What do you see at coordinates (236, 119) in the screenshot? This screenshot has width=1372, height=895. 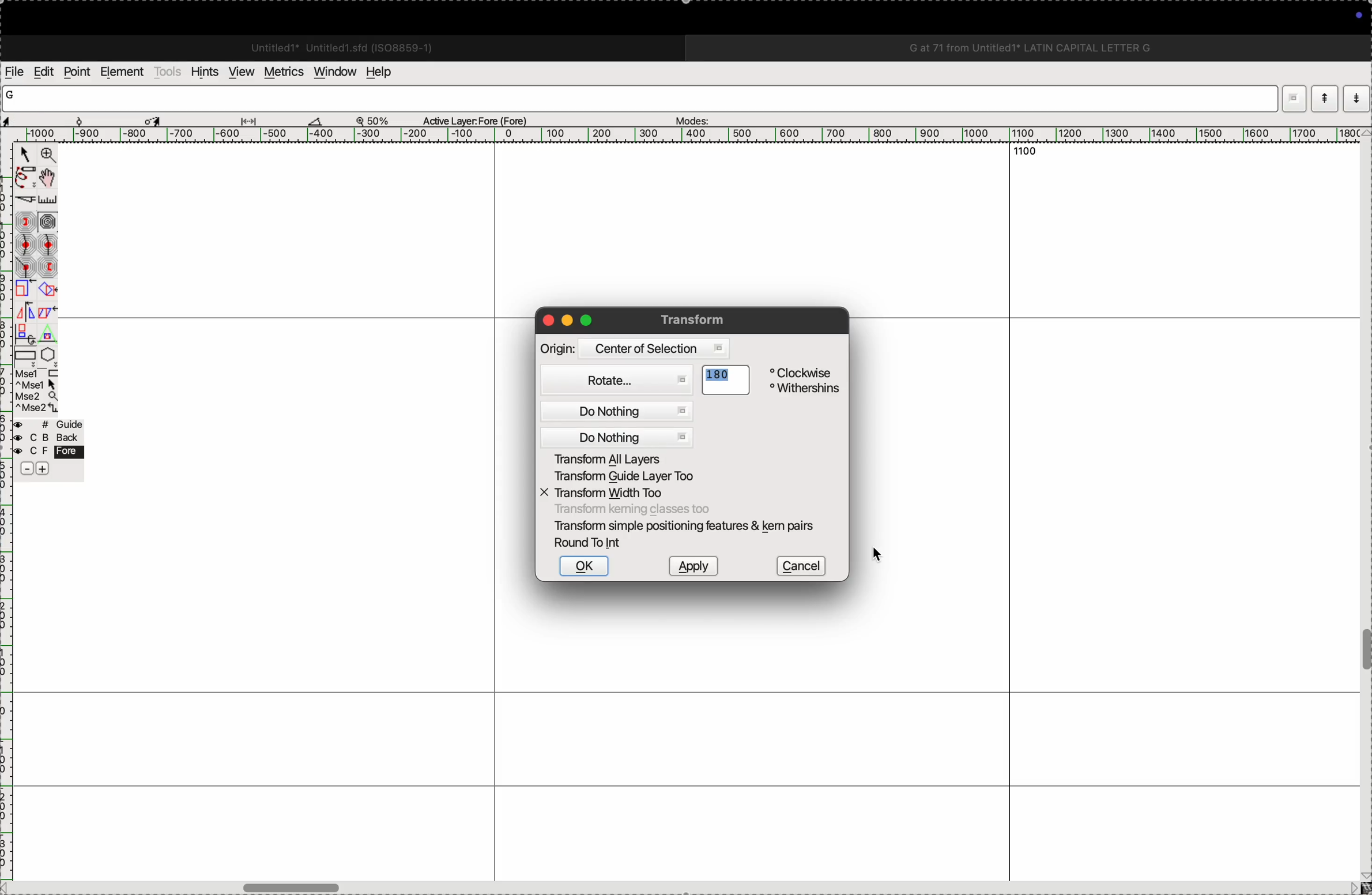 I see `measurements` at bounding box center [236, 119].